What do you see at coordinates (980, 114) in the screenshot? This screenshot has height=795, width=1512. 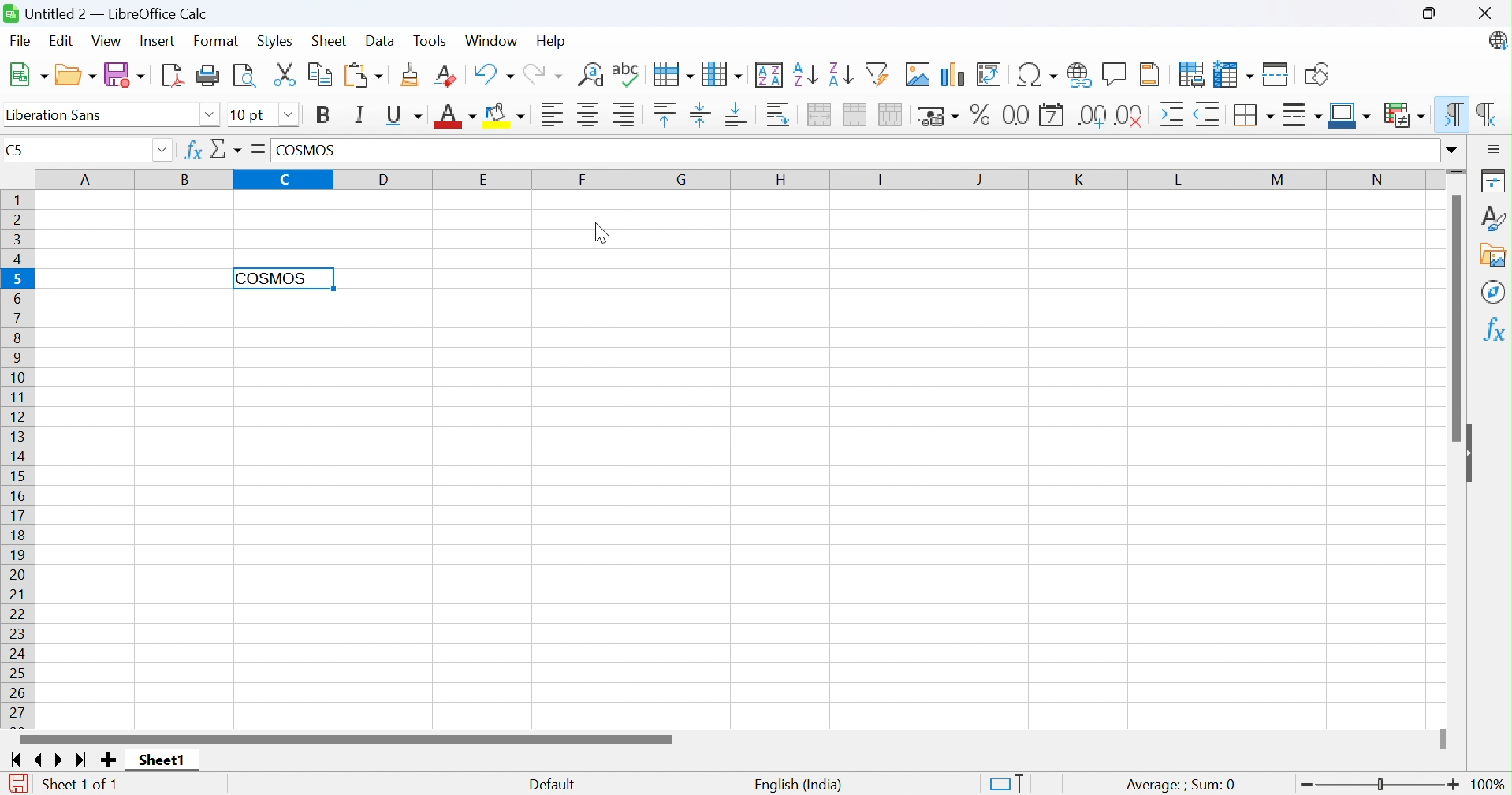 I see `Format as percent` at bounding box center [980, 114].